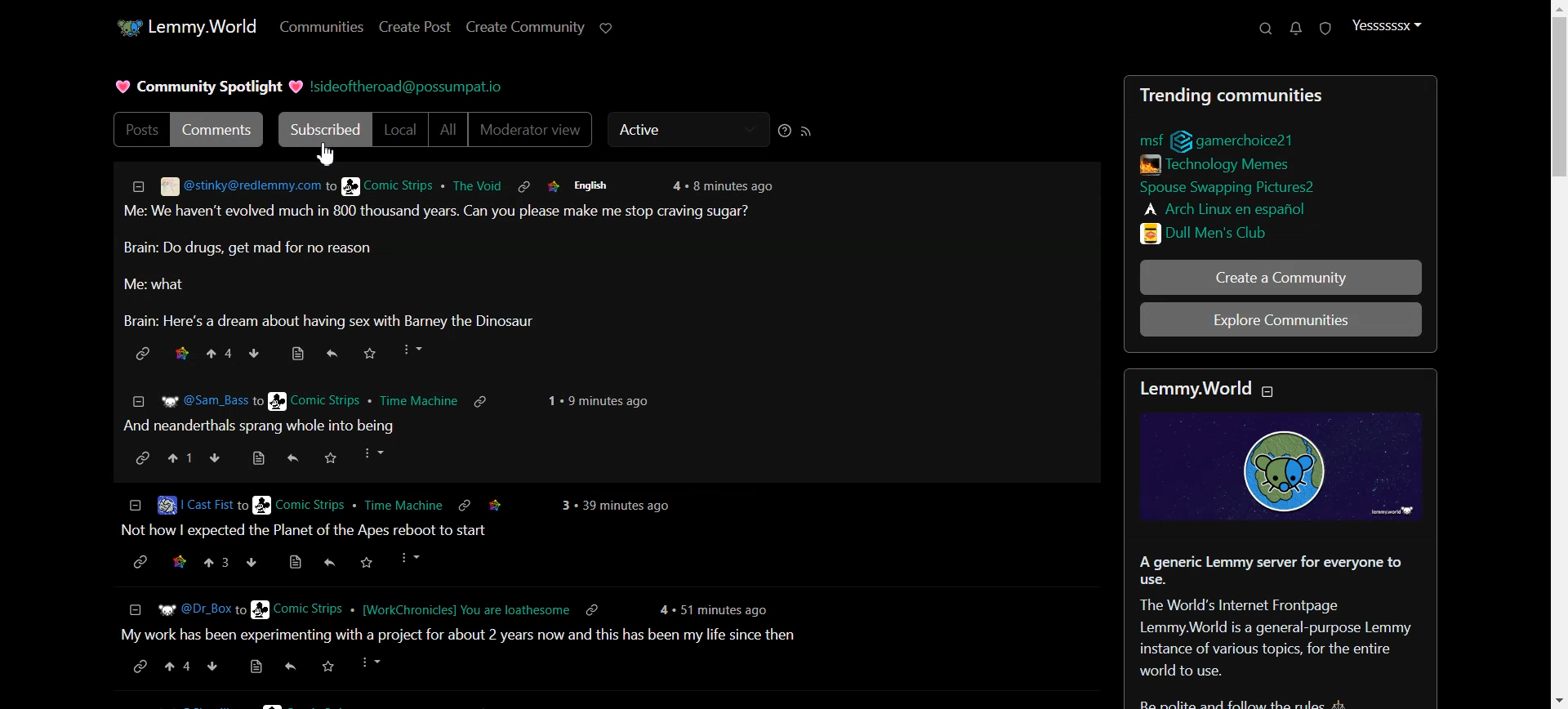 This screenshot has width=1568, height=709. I want to click on link, so click(1239, 138).